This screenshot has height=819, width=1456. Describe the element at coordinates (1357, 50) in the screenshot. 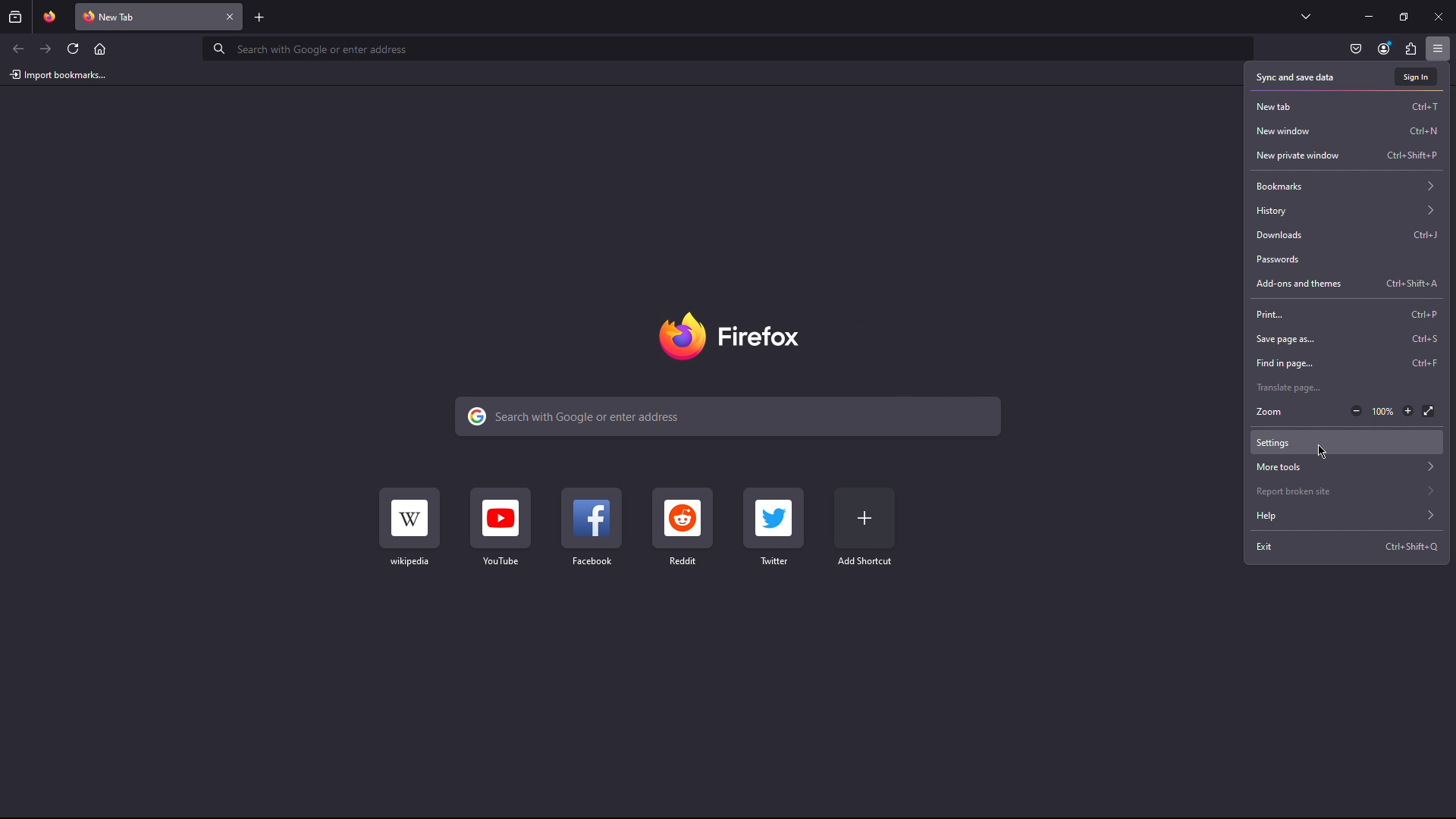

I see `Pocket` at that location.